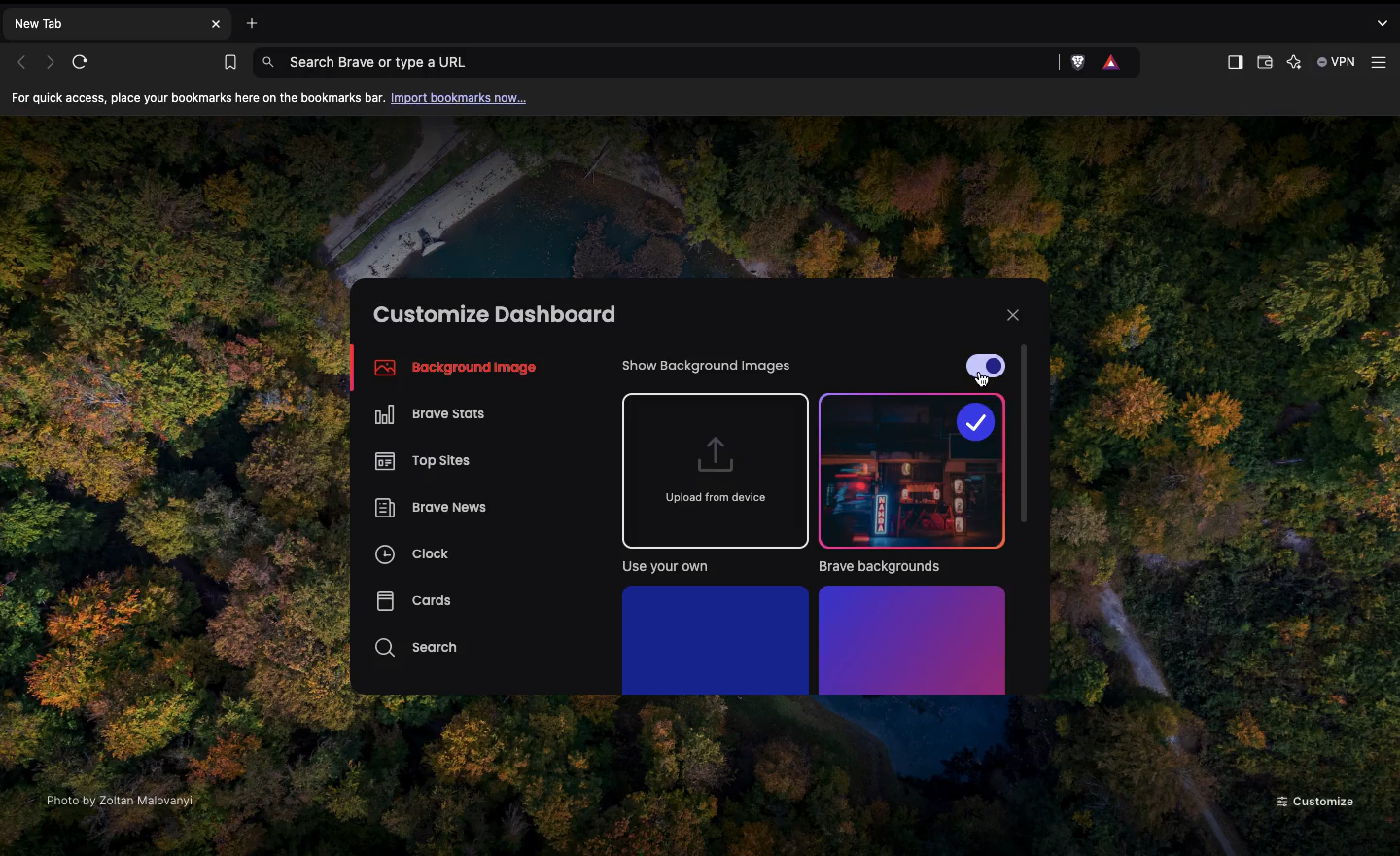 Image resolution: width=1400 pixels, height=856 pixels. Describe the element at coordinates (103, 22) in the screenshot. I see `New tab` at that location.